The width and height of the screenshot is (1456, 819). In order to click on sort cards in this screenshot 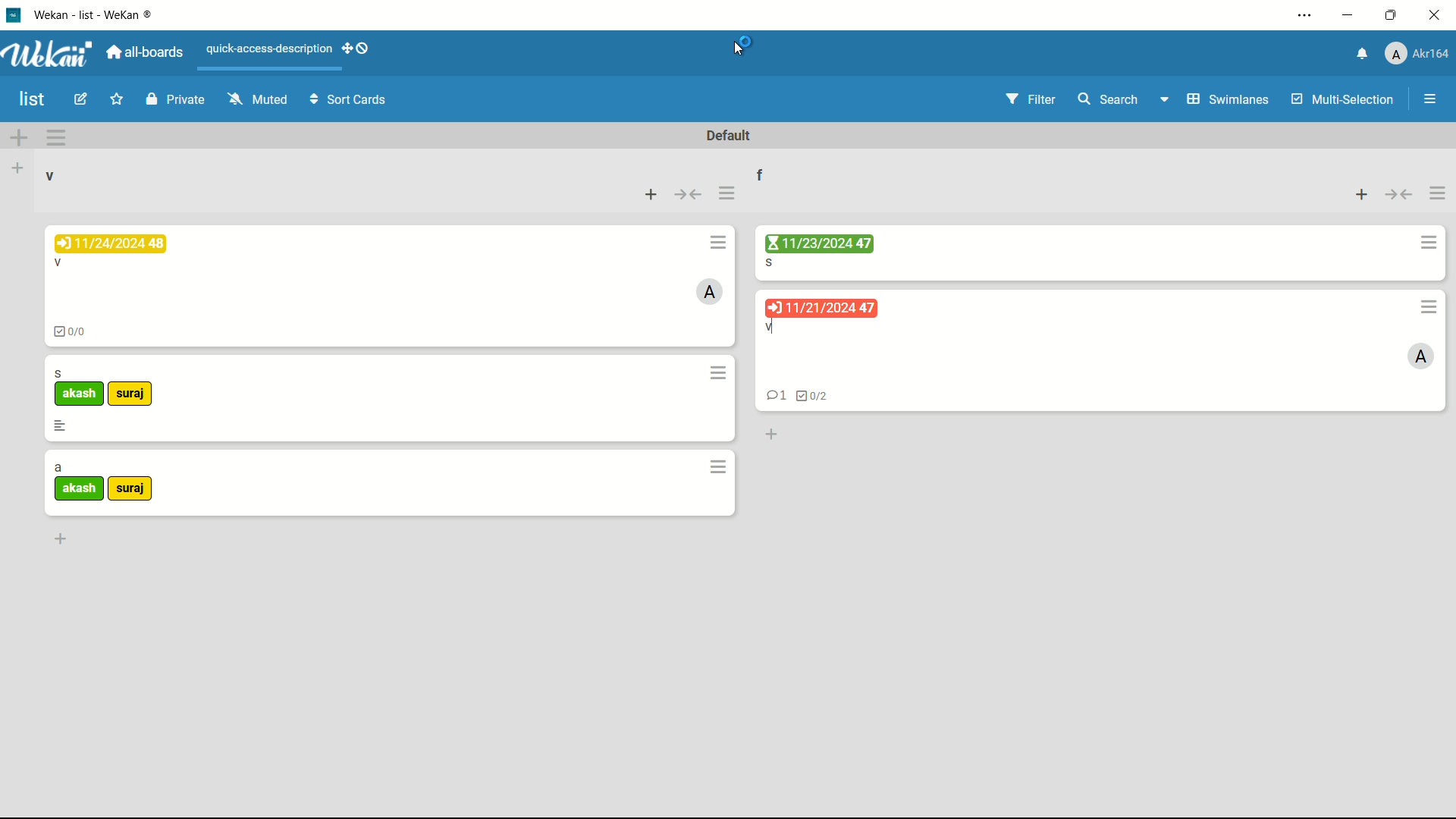, I will do `click(350, 101)`.